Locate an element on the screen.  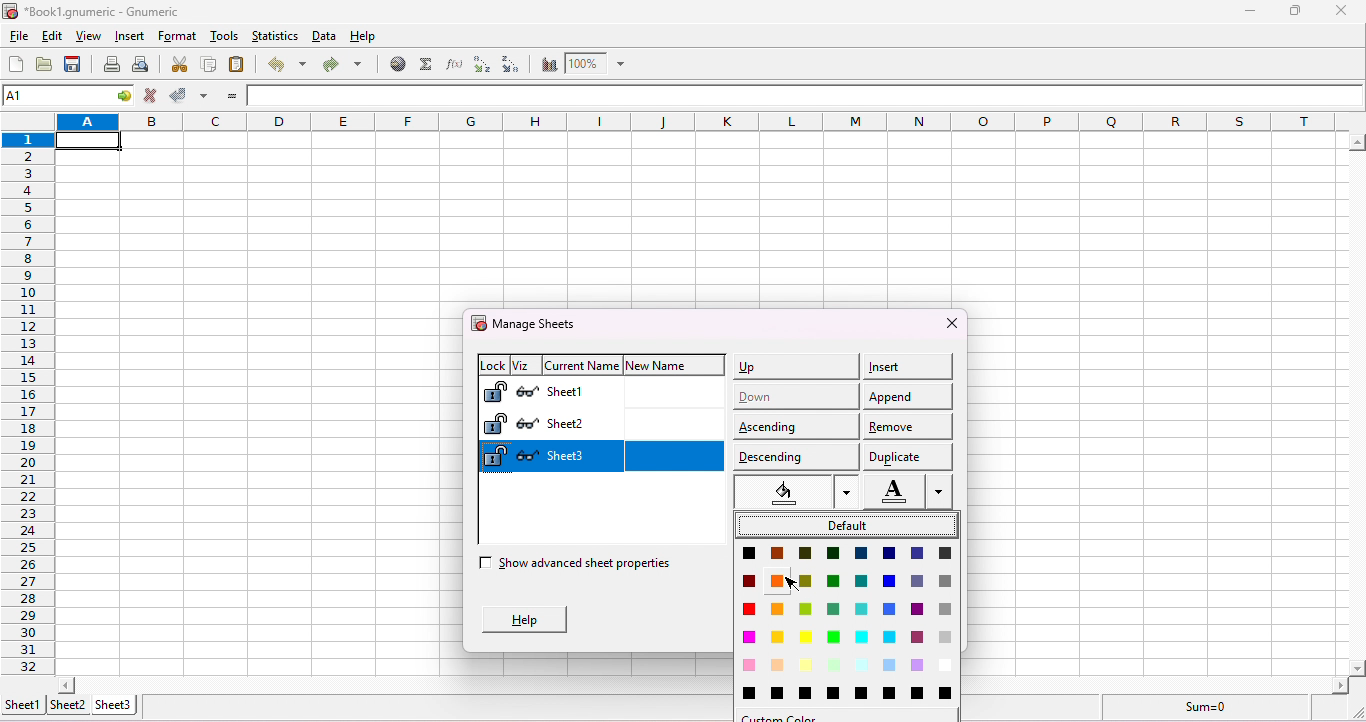
viz is located at coordinates (522, 362).